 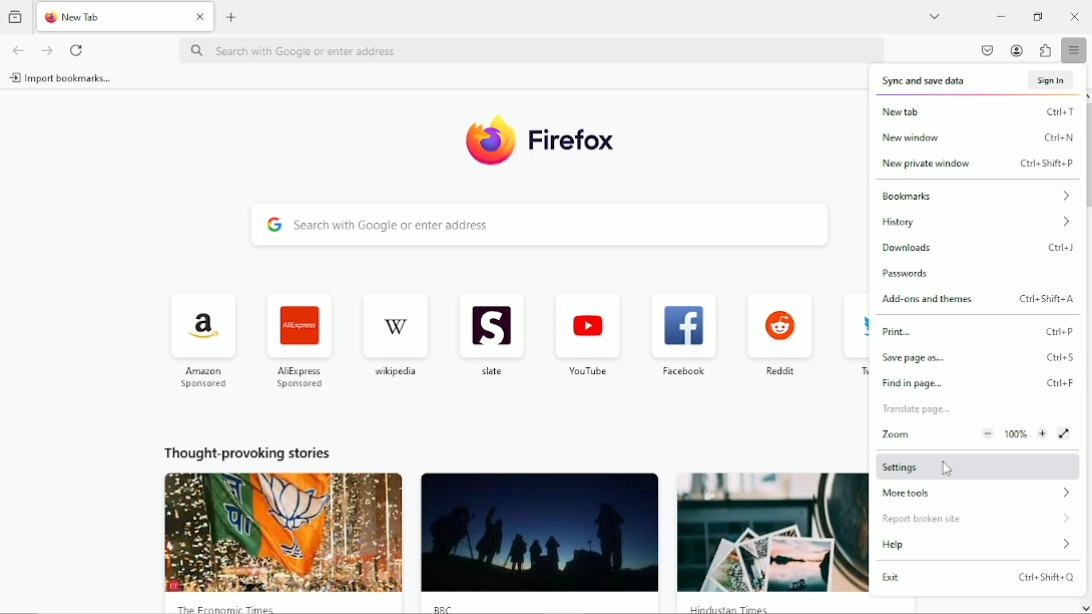 What do you see at coordinates (589, 370) in the screenshot?
I see `youtube` at bounding box center [589, 370].